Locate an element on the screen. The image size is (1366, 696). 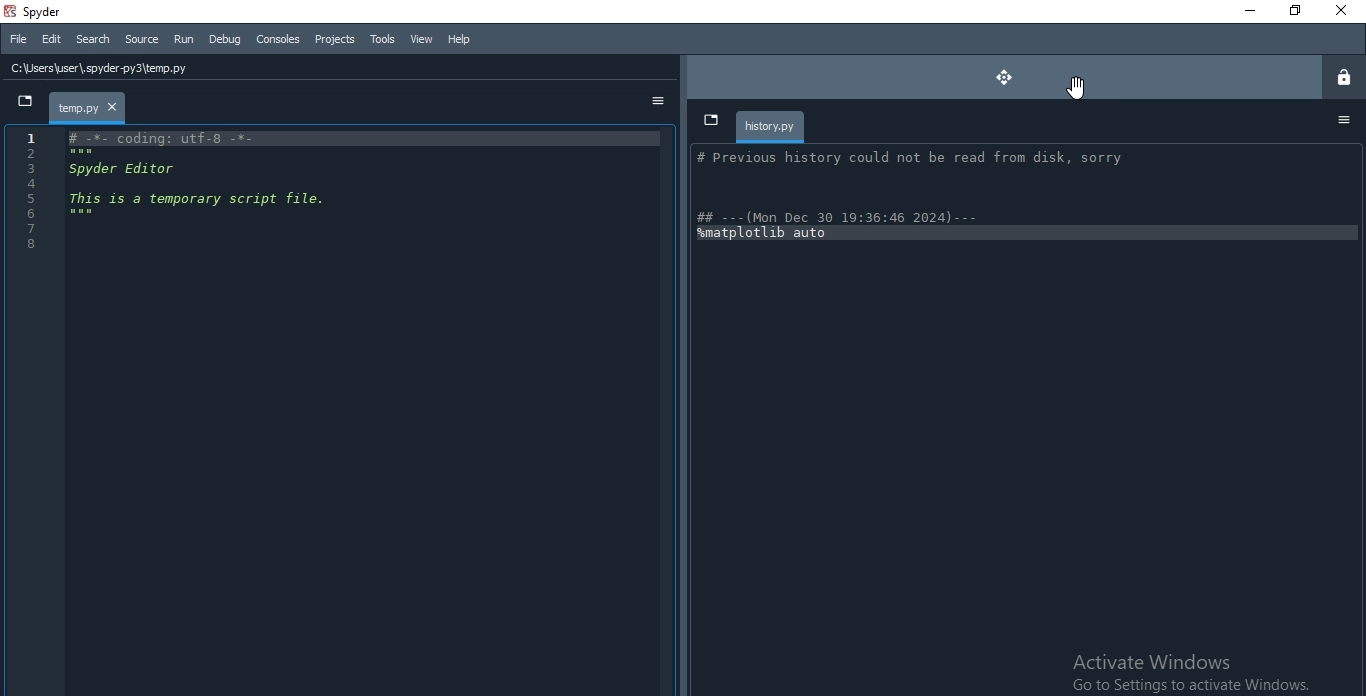
Close is located at coordinates (1345, 12).